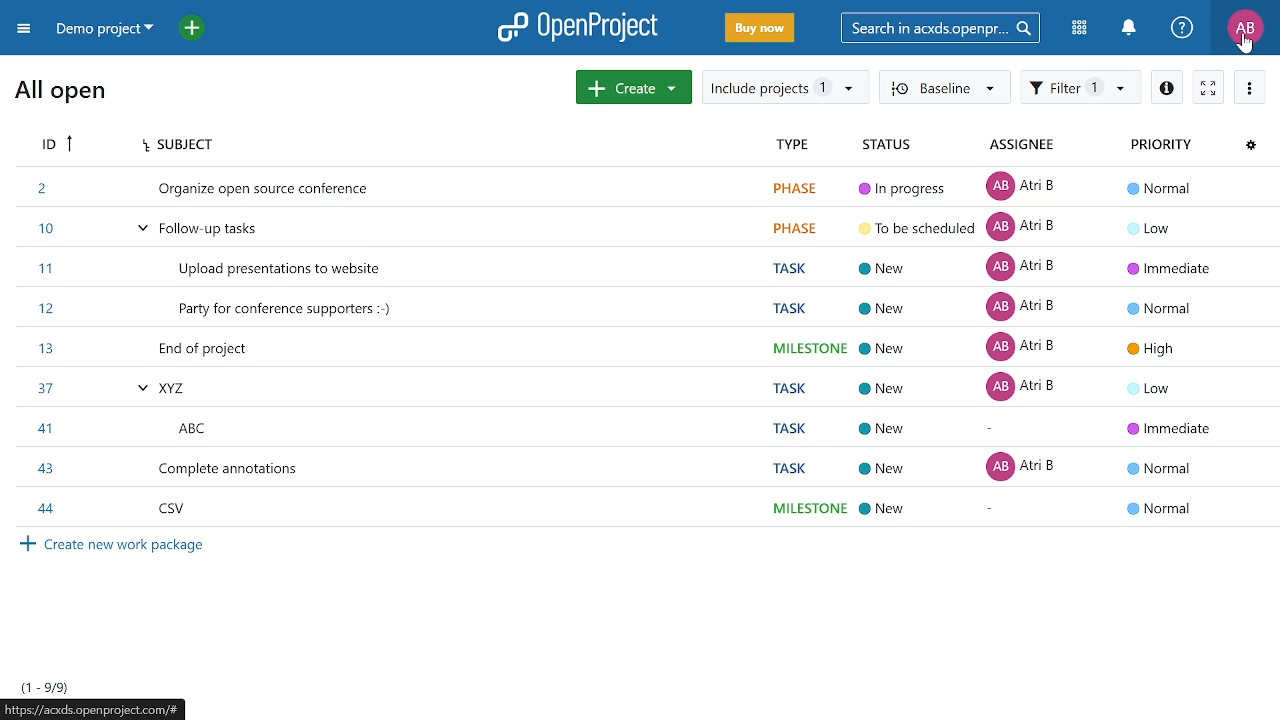 This screenshot has height=720, width=1280. I want to click on Buy now, so click(758, 29).